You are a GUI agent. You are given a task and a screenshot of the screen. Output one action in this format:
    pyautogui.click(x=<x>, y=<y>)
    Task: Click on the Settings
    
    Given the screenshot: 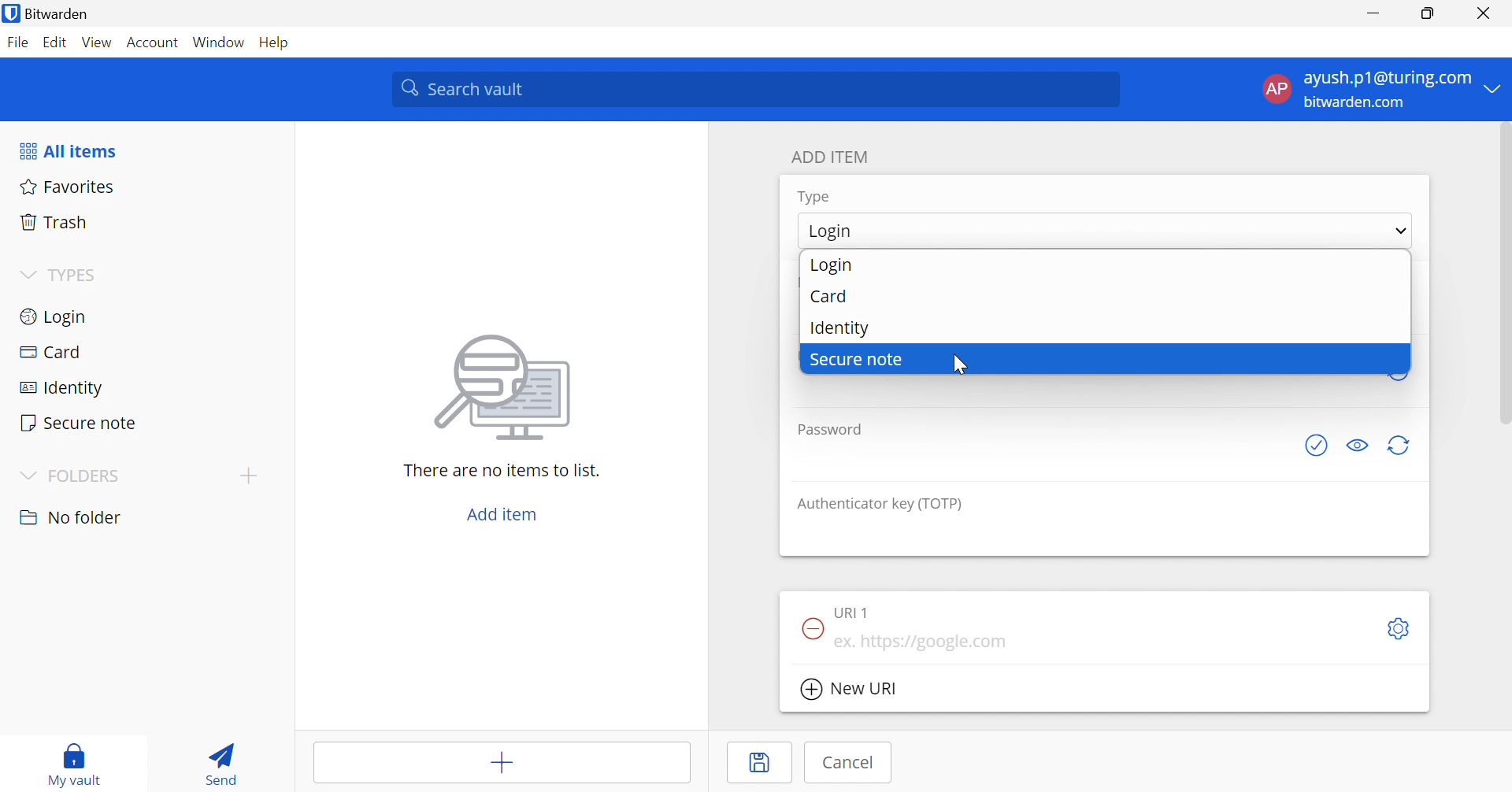 What is the action you would take?
    pyautogui.click(x=1398, y=628)
    